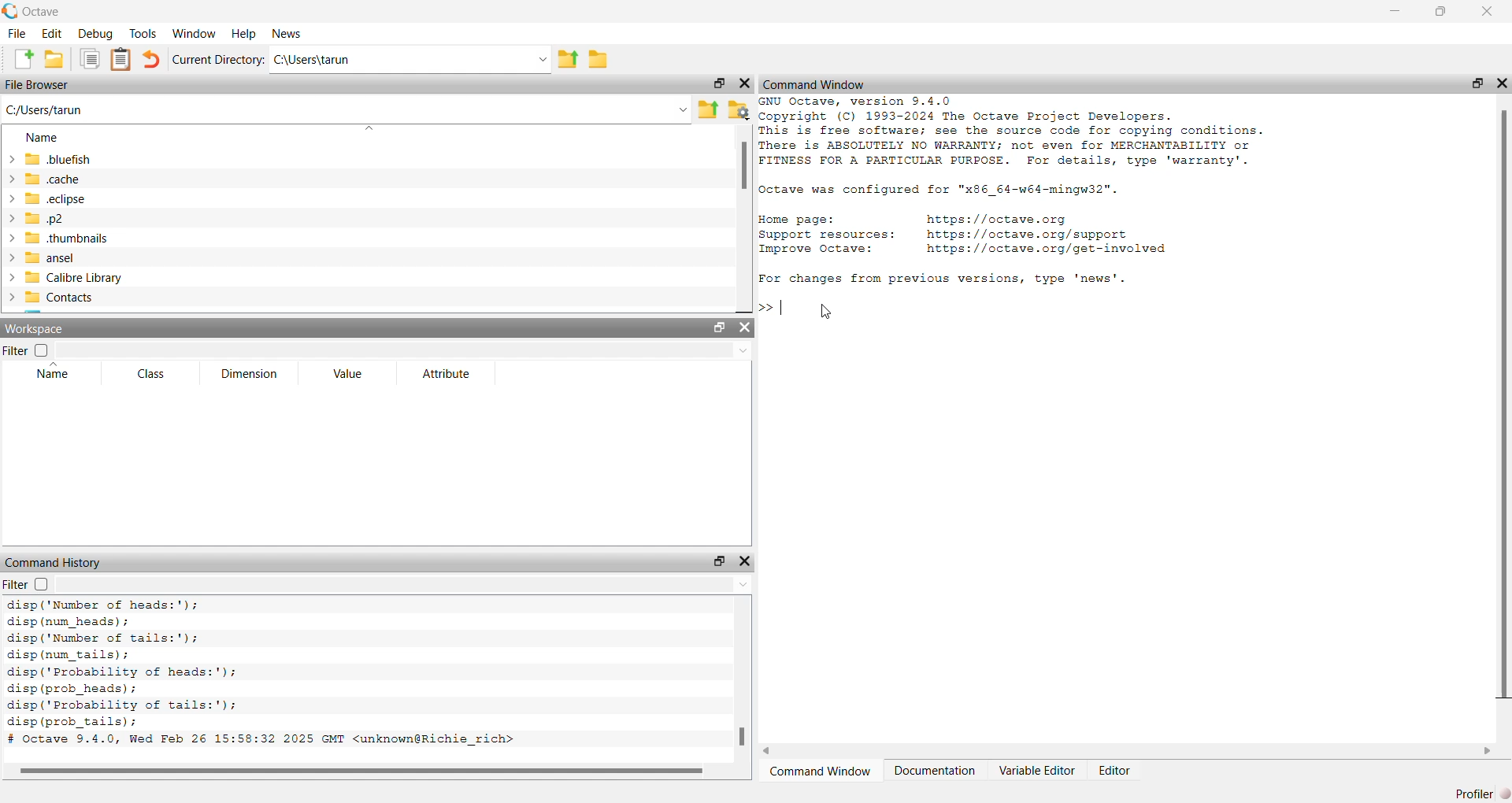 This screenshot has width=1512, height=803. Describe the element at coordinates (744, 83) in the screenshot. I see `Hide Widget` at that location.